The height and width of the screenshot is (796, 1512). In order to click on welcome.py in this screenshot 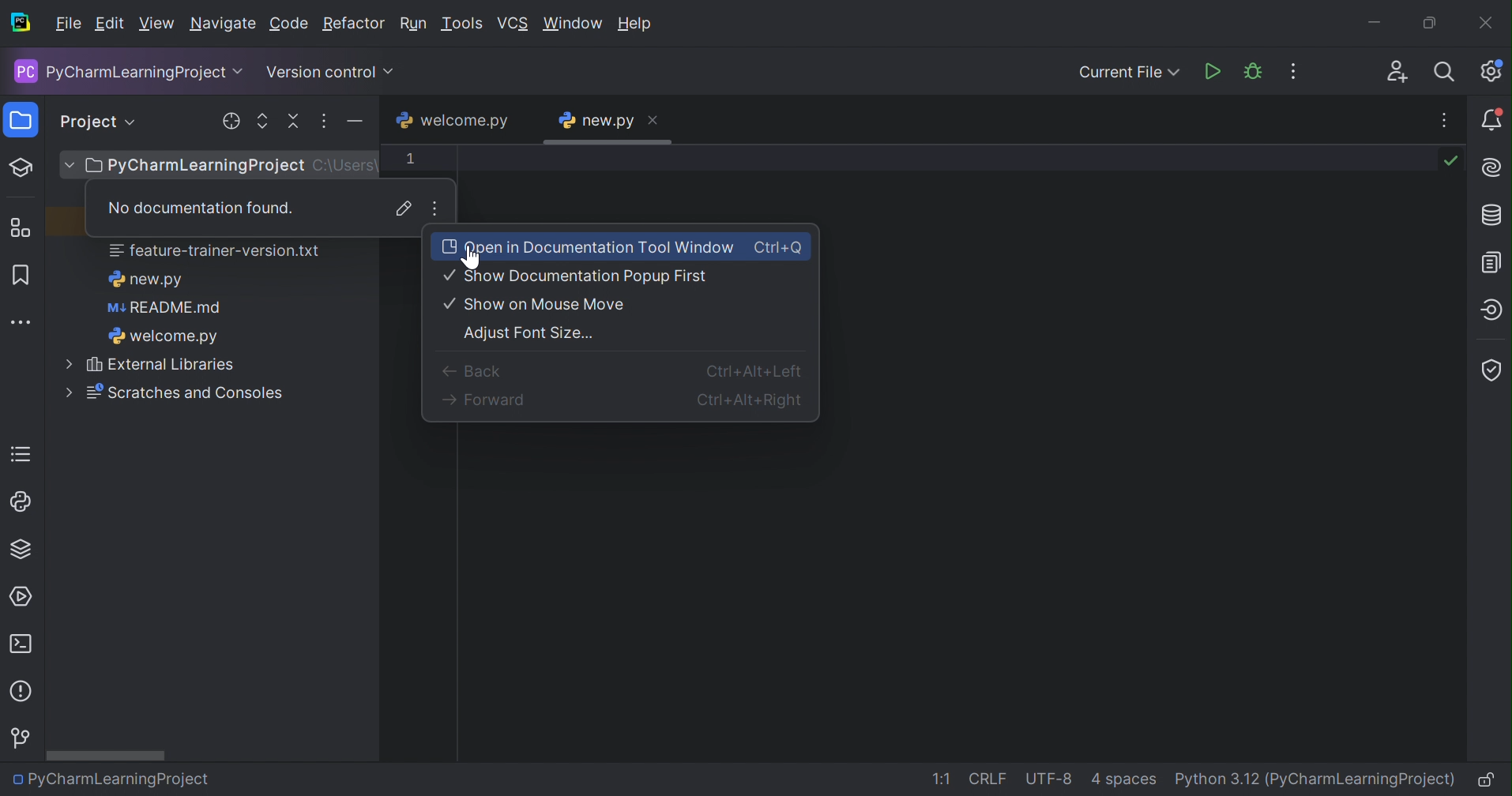, I will do `click(450, 120)`.